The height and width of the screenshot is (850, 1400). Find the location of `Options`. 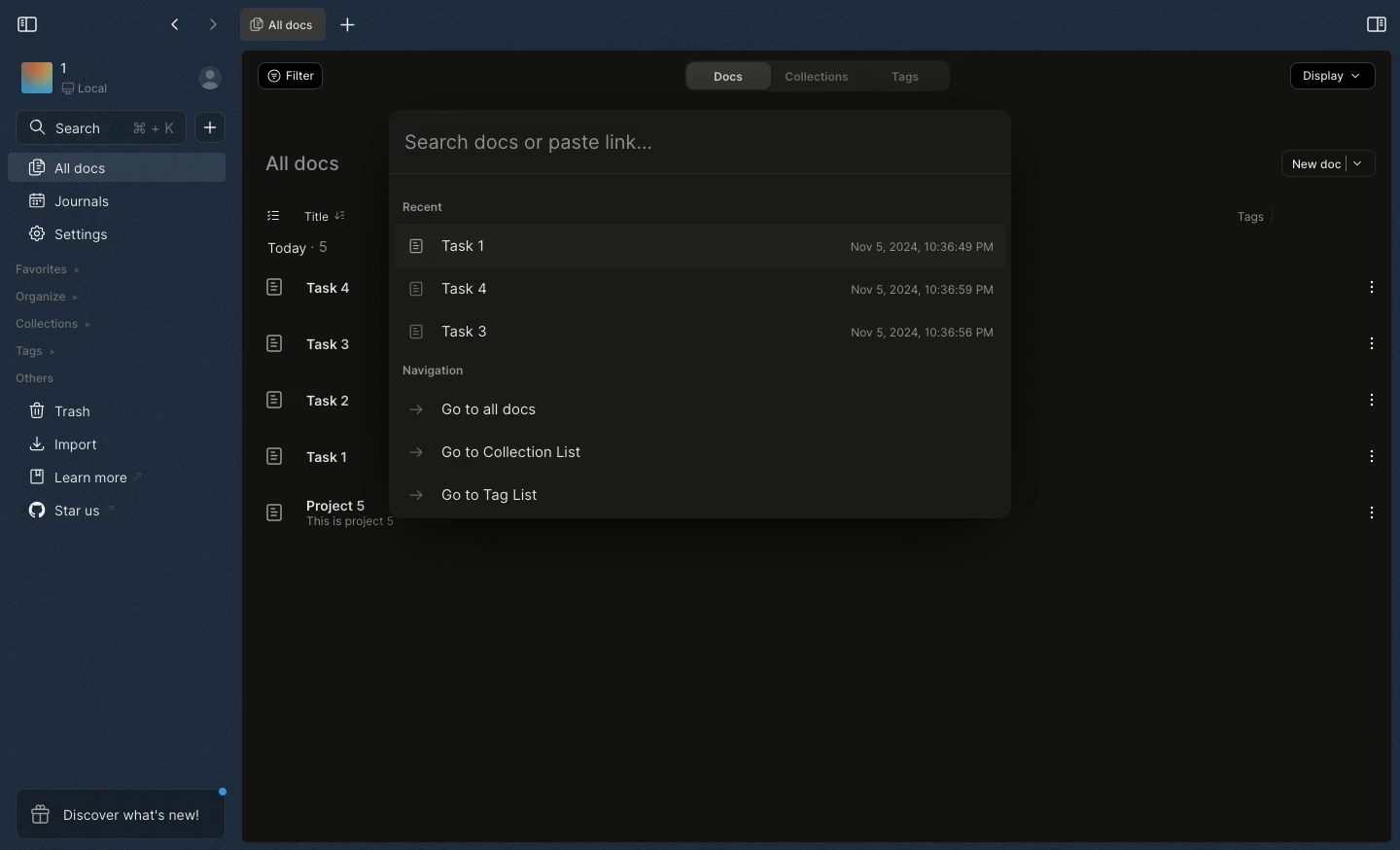

Options is located at coordinates (1375, 454).